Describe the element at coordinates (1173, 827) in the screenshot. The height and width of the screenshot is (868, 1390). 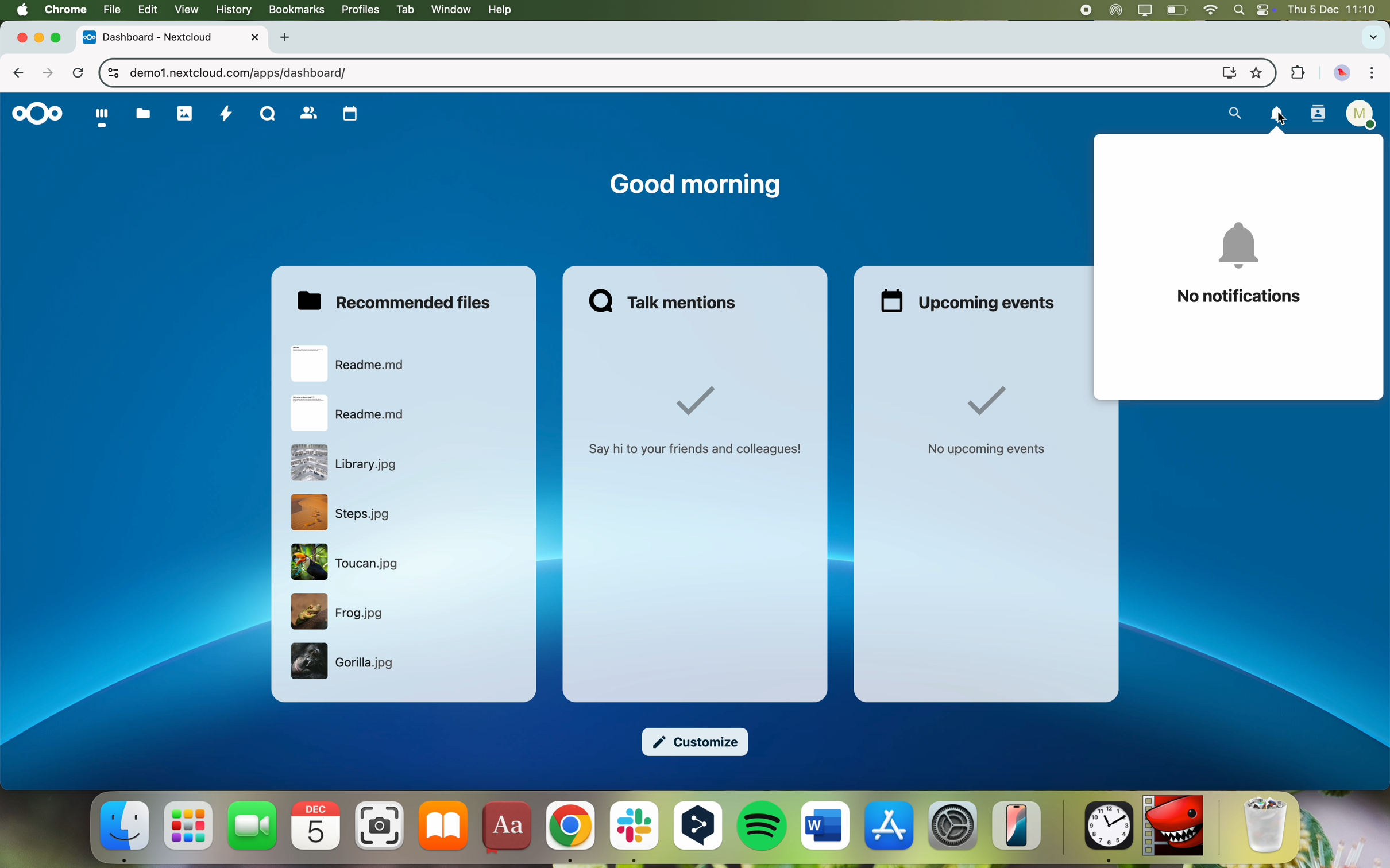
I see `Lightworks` at that location.